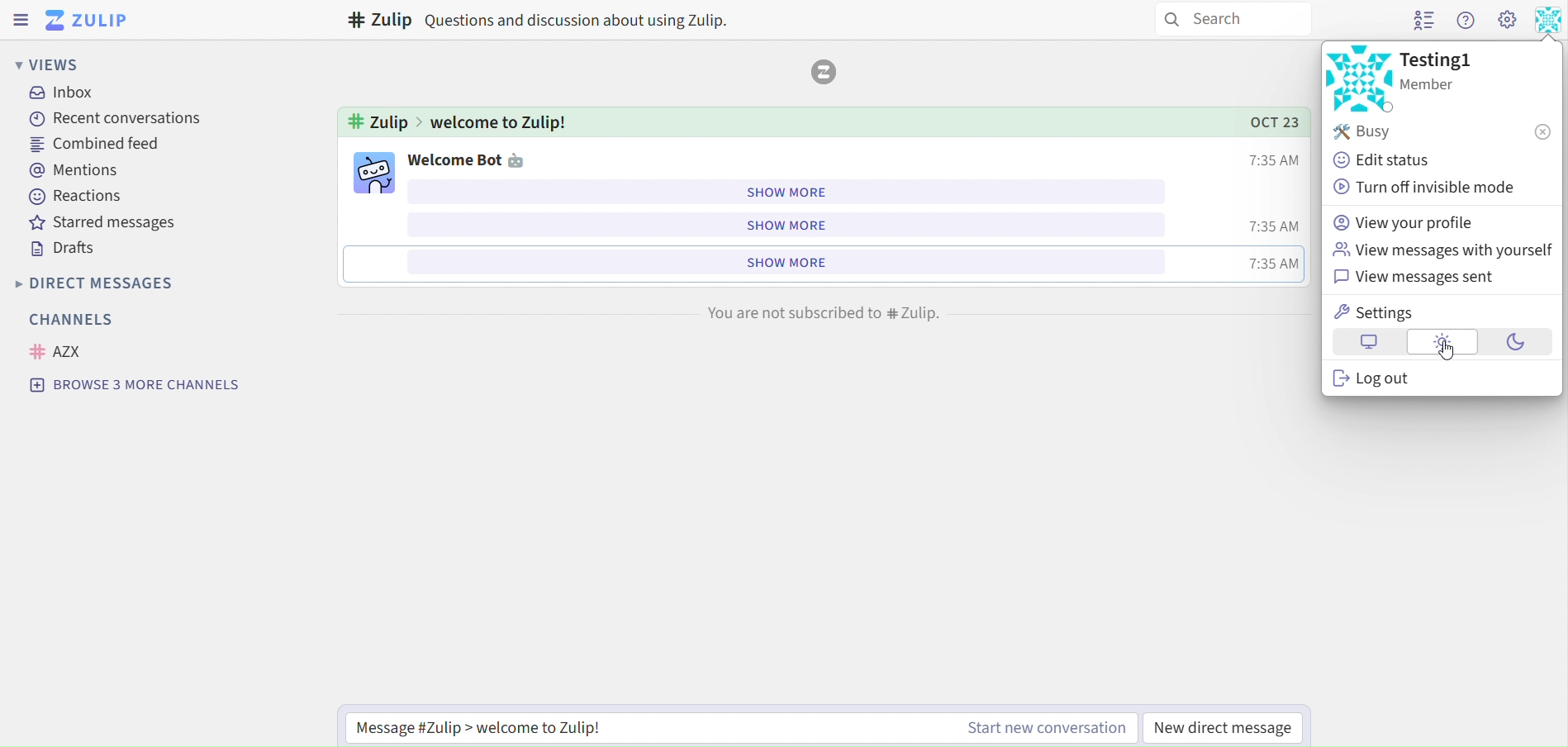  What do you see at coordinates (1427, 188) in the screenshot?
I see `turn off invisible mode` at bounding box center [1427, 188].